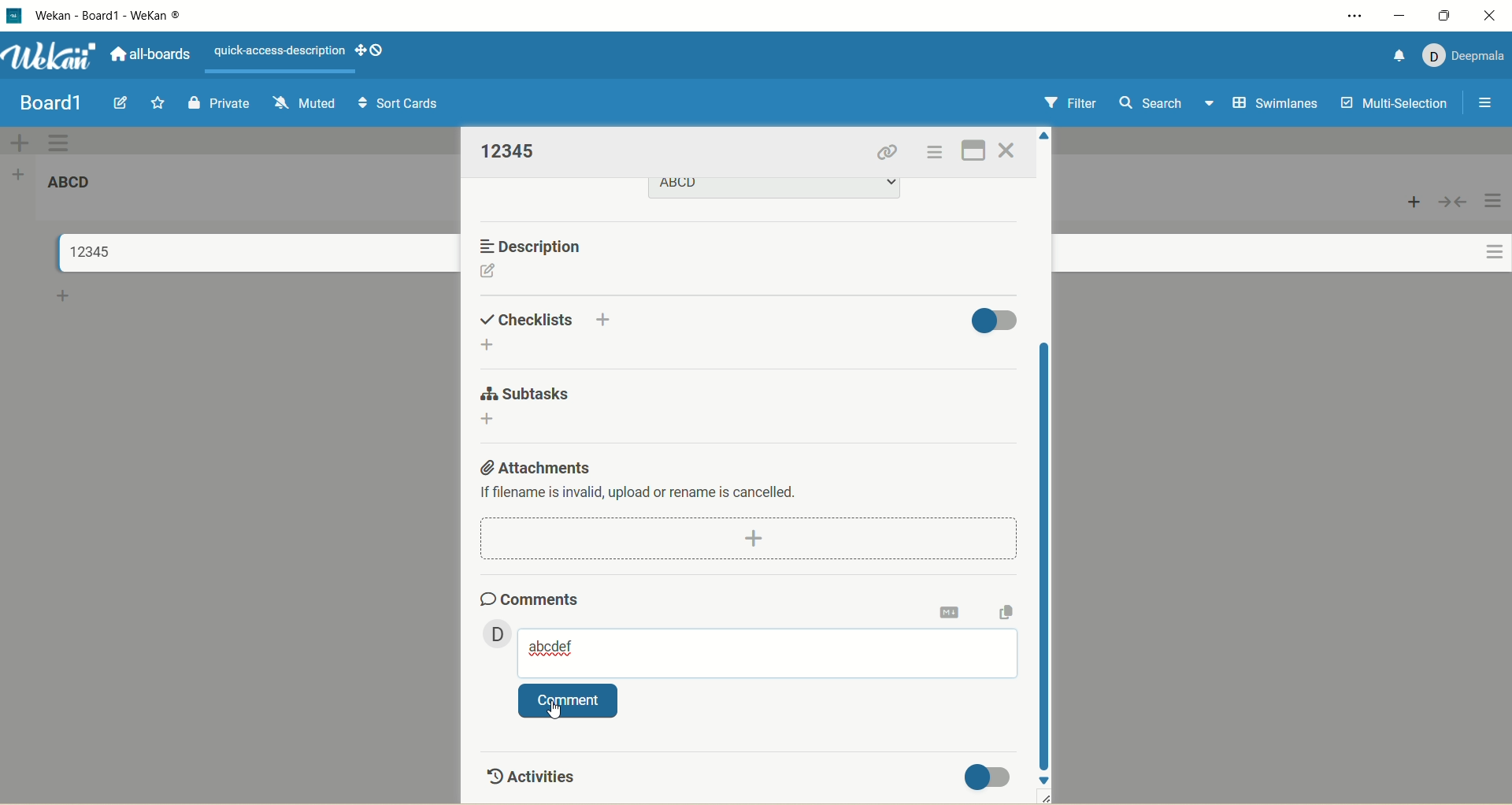  What do you see at coordinates (528, 773) in the screenshot?
I see `activities` at bounding box center [528, 773].